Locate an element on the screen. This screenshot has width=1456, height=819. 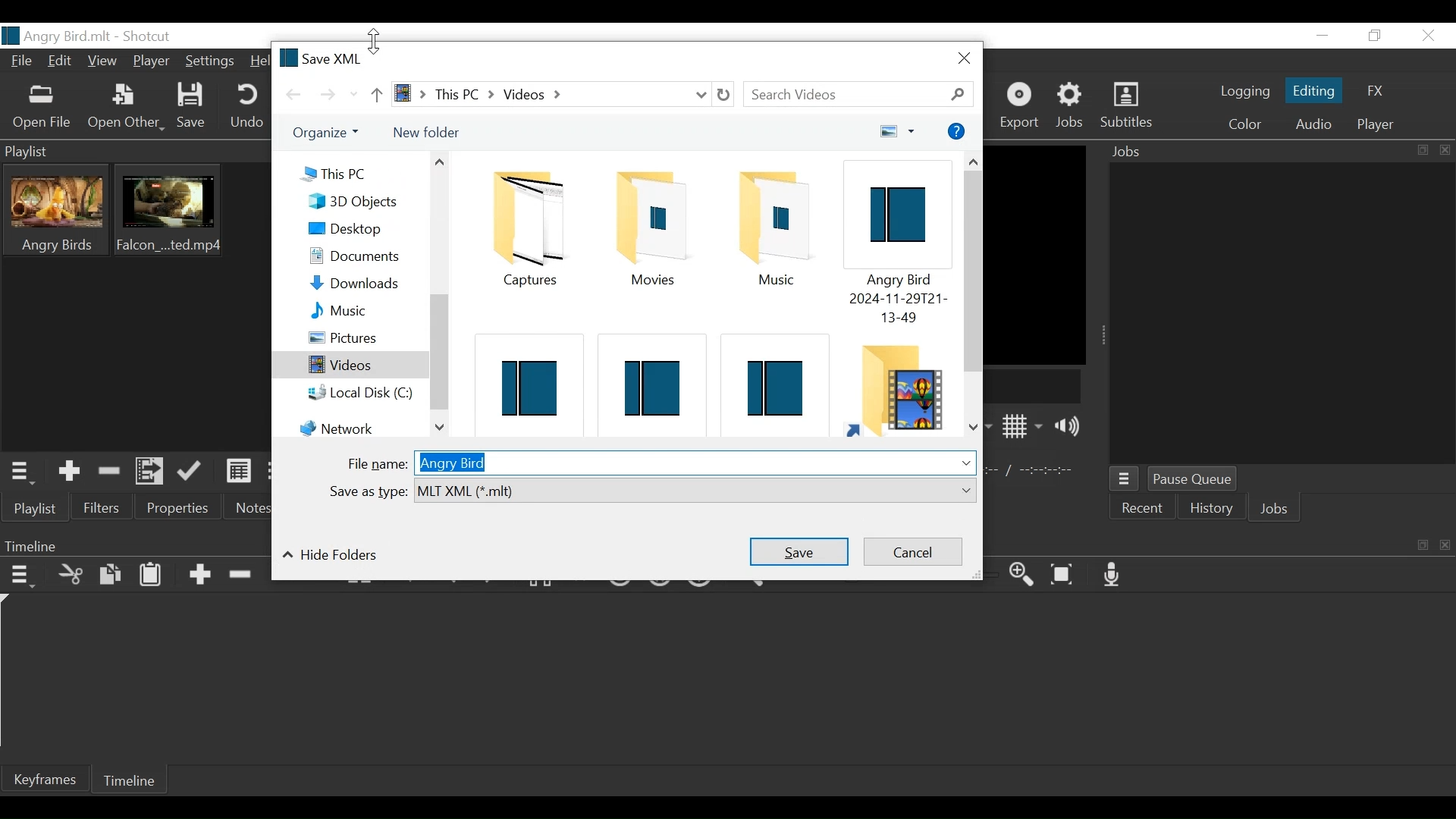
Ripple Delete is located at coordinates (240, 575).